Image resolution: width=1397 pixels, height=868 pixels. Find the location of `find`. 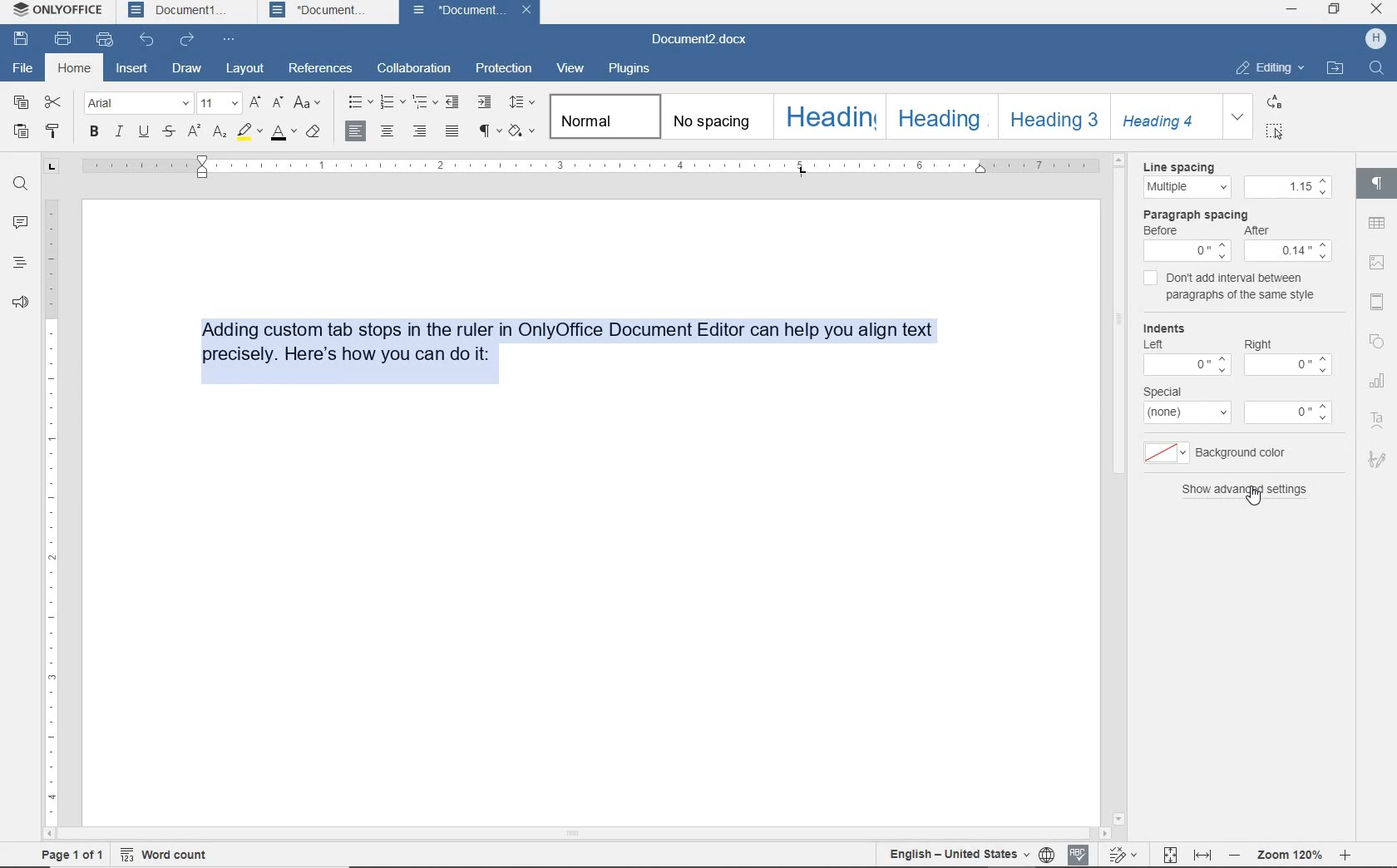

find is located at coordinates (21, 185).